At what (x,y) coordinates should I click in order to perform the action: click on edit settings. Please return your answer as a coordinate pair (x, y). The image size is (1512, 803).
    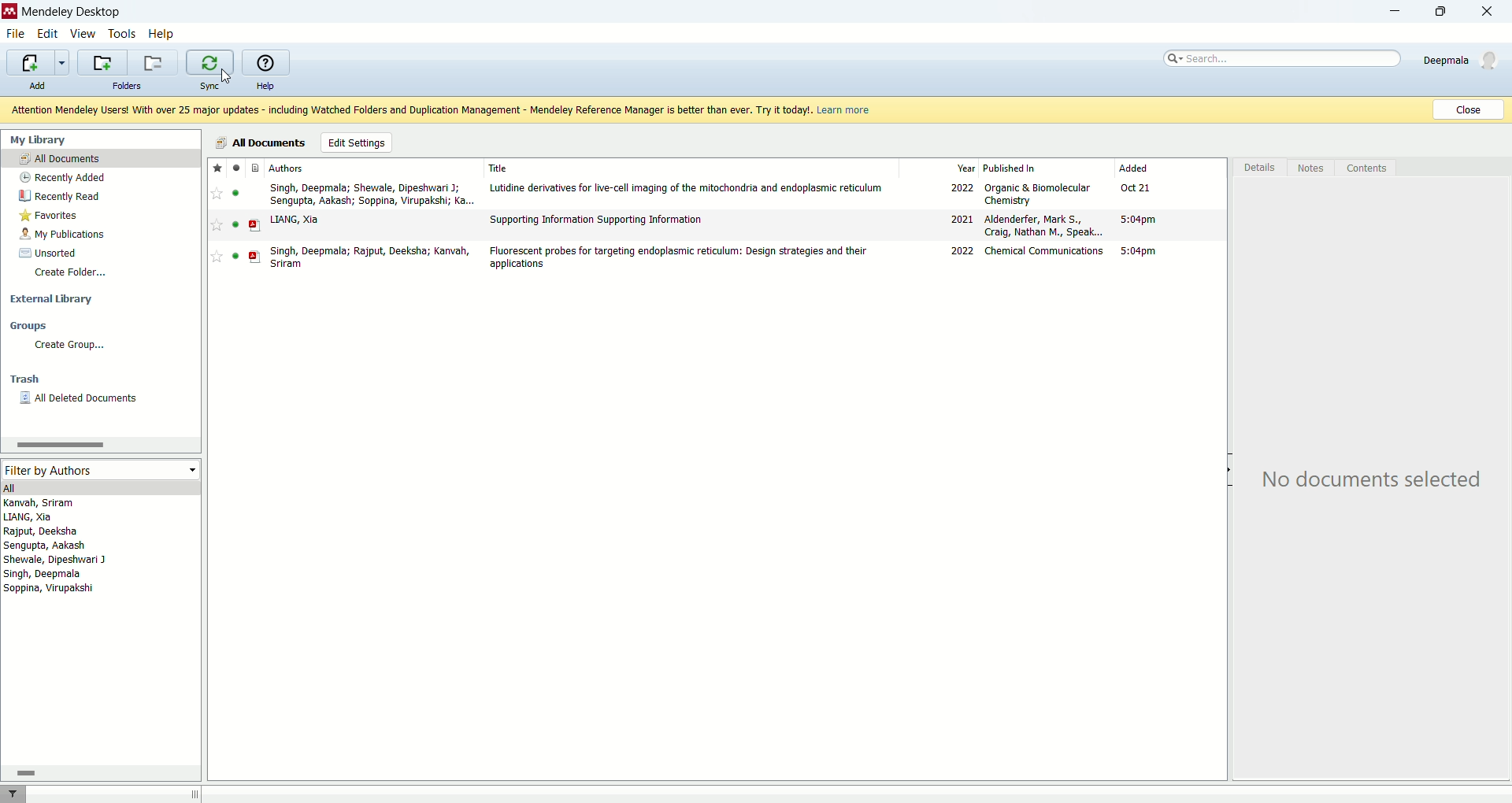
    Looking at the image, I should click on (356, 142).